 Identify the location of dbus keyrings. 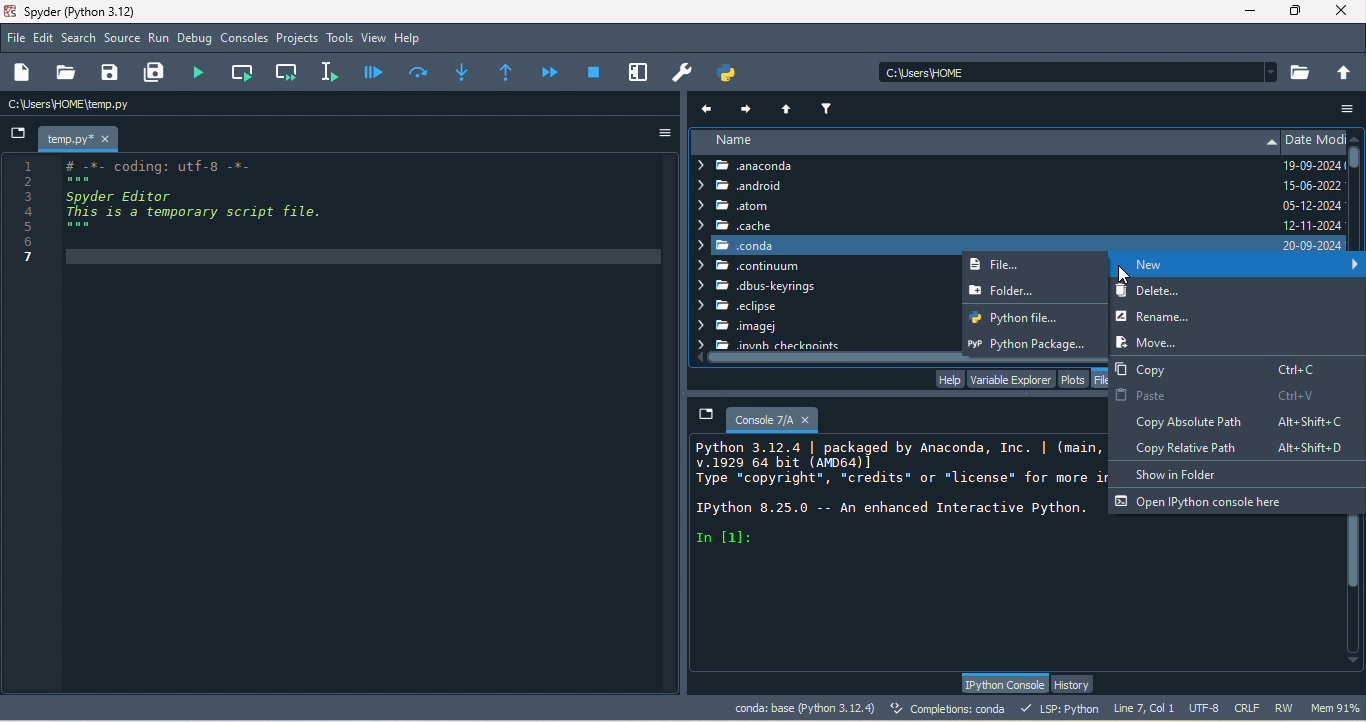
(761, 287).